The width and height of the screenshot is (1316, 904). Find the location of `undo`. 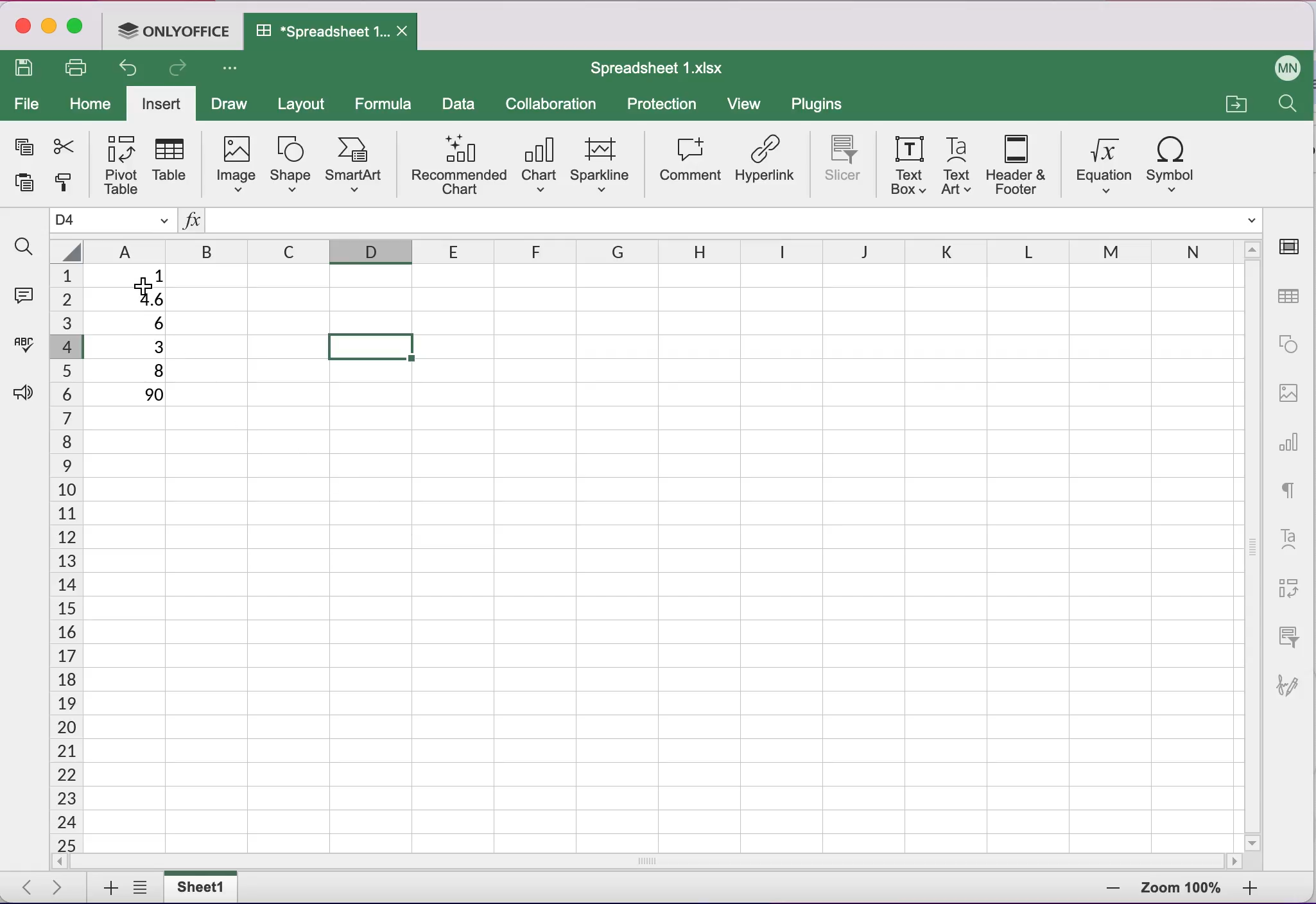

undo is located at coordinates (124, 68).